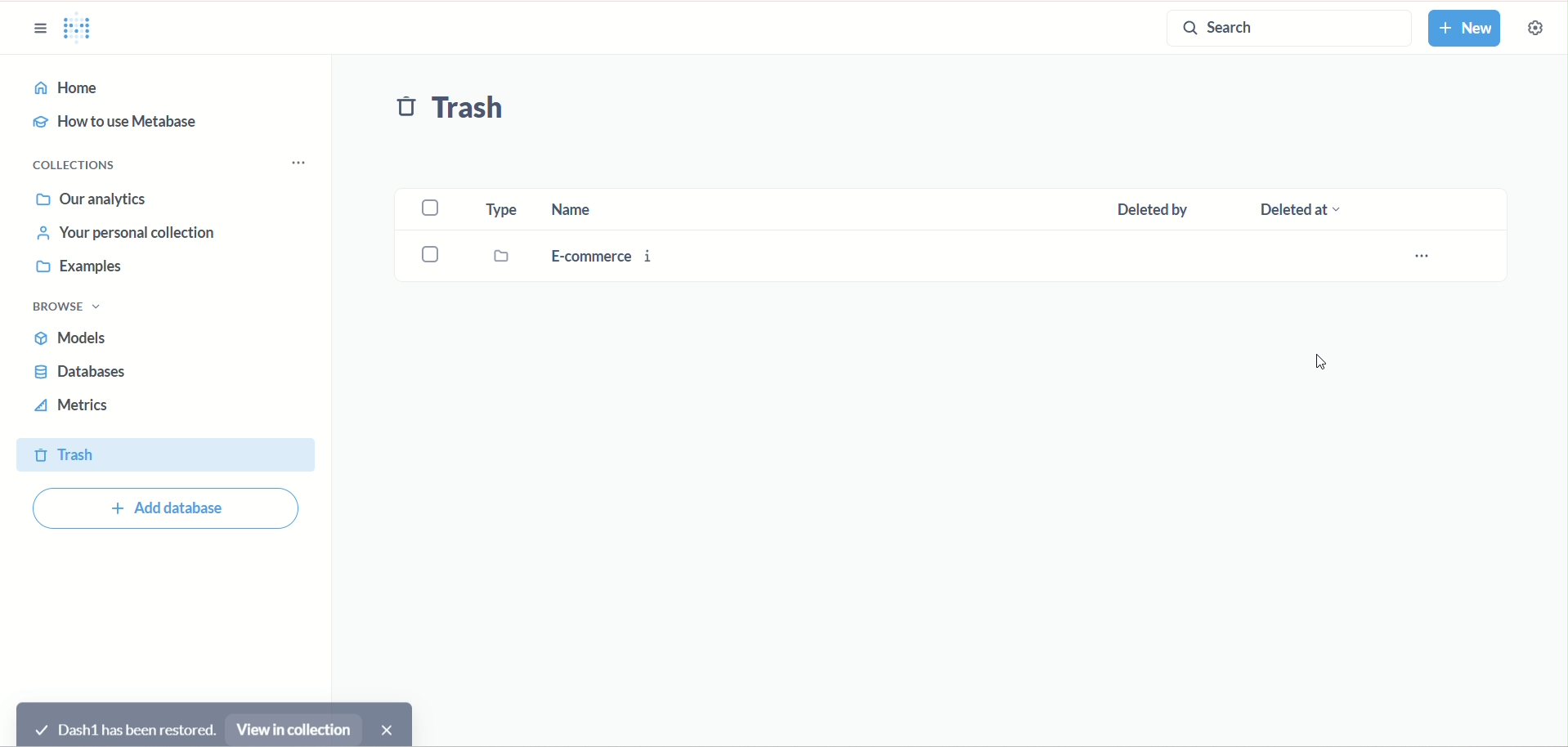  Describe the element at coordinates (610, 210) in the screenshot. I see `name` at that location.